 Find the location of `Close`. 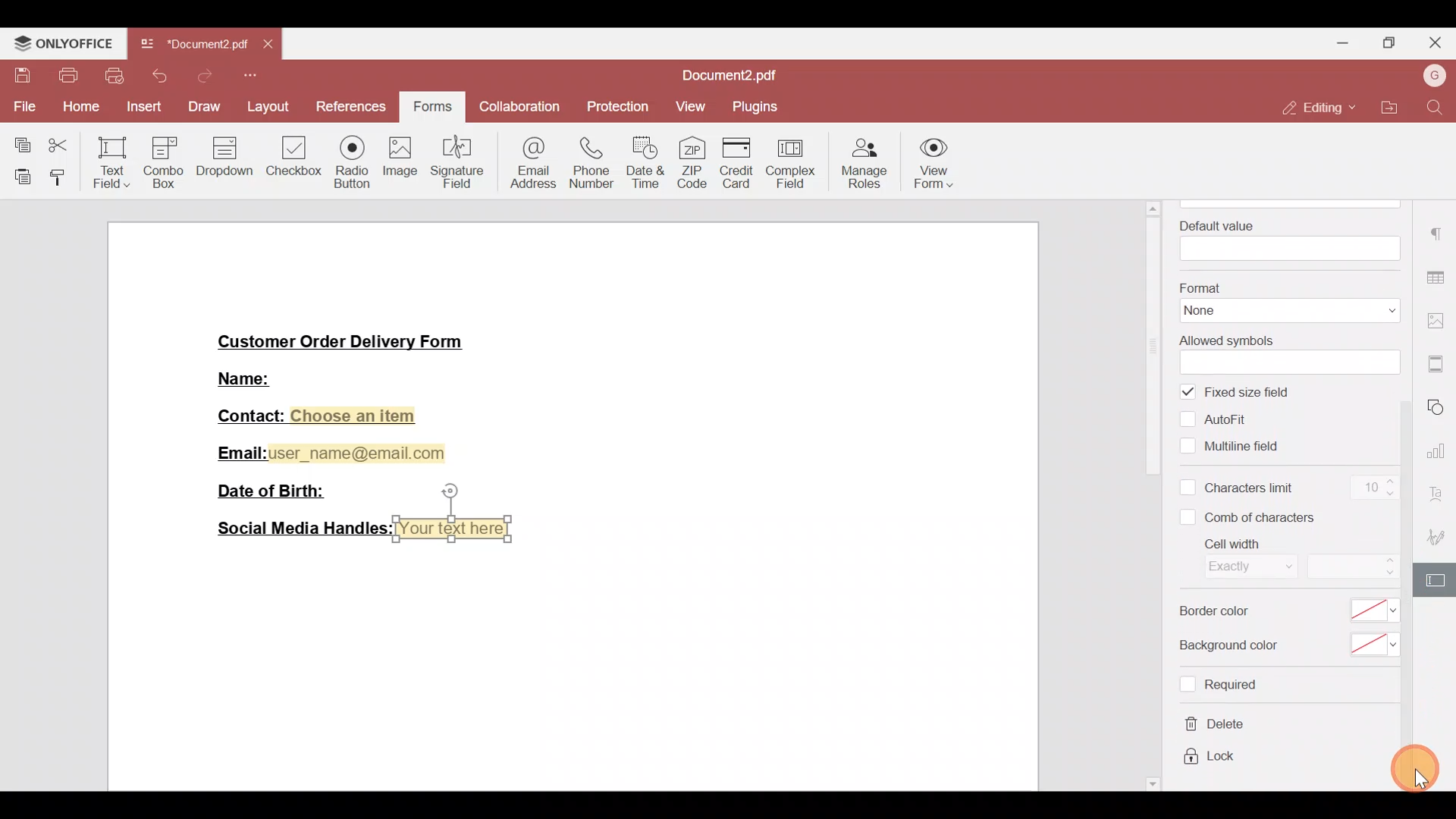

Close is located at coordinates (1438, 43).